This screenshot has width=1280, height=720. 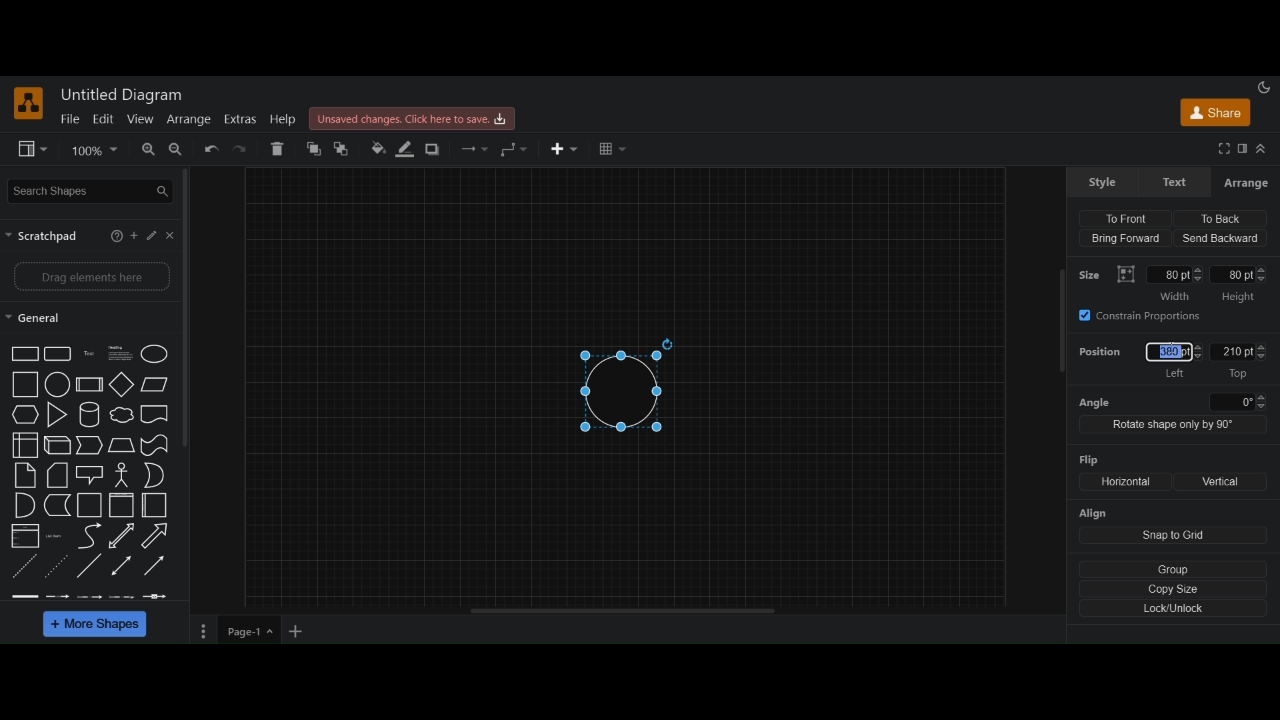 I want to click on close, so click(x=173, y=235).